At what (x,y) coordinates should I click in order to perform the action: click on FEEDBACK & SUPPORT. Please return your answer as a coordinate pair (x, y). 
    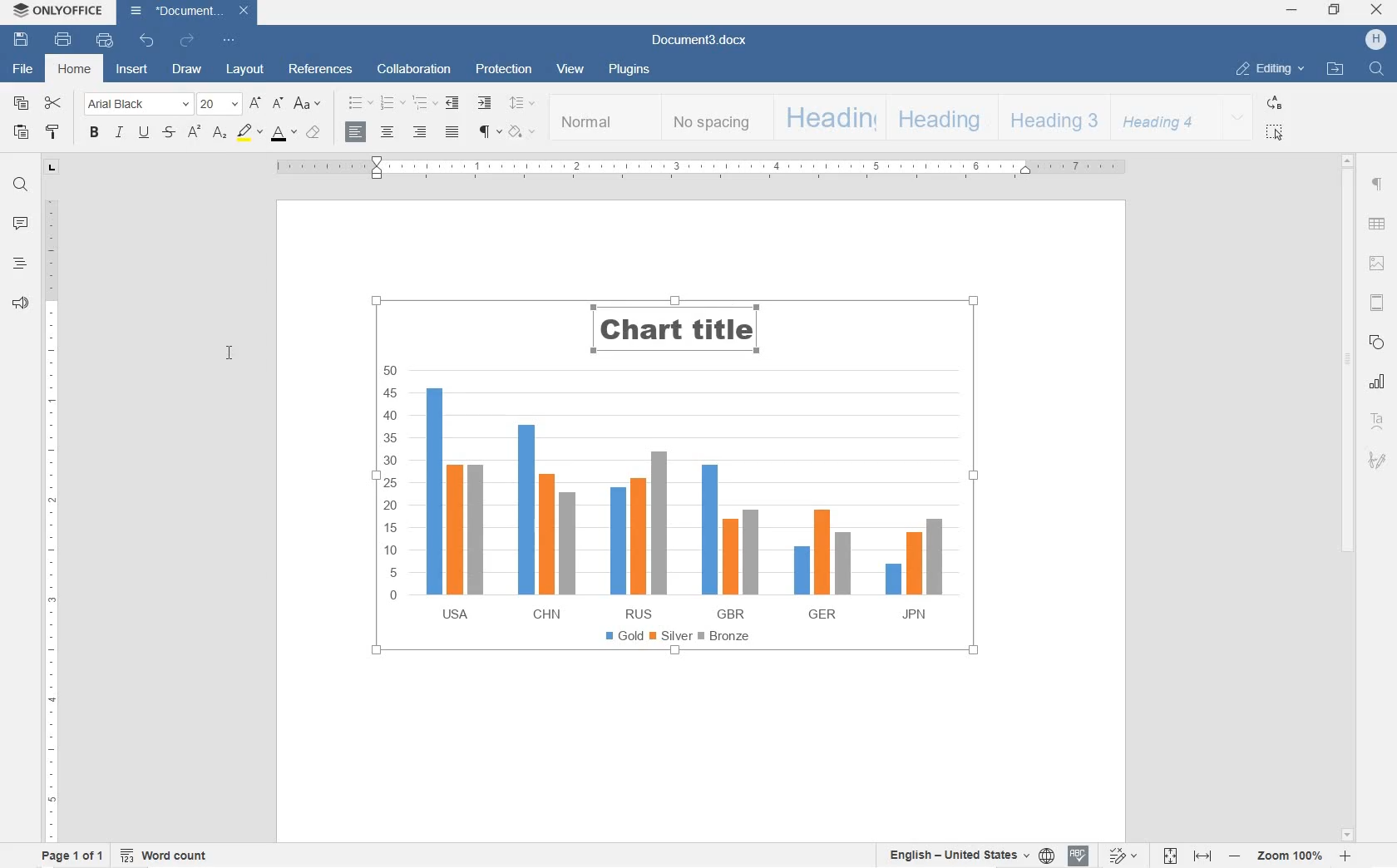
    Looking at the image, I should click on (21, 303).